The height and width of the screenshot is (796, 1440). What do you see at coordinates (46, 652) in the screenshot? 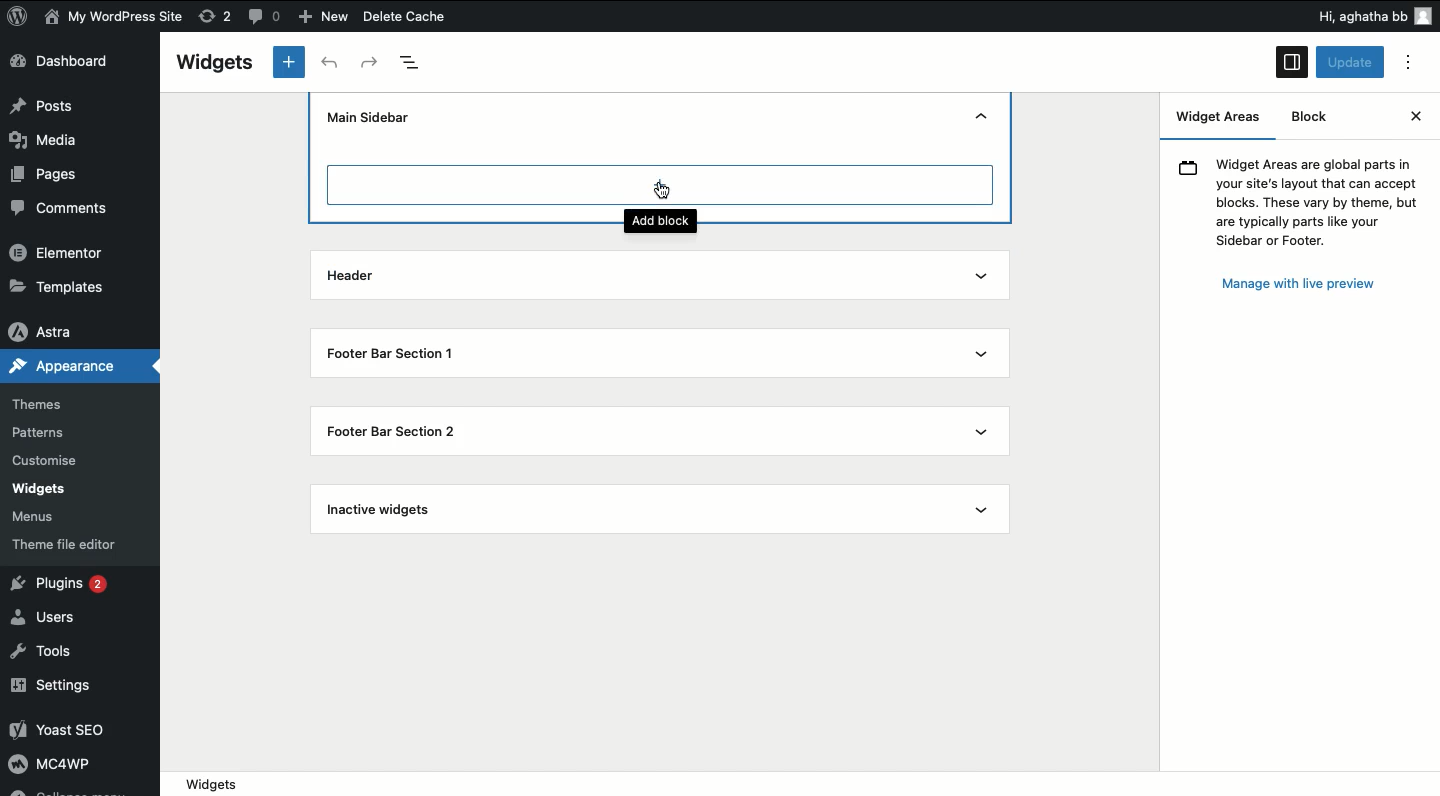
I see `Tools` at bounding box center [46, 652].